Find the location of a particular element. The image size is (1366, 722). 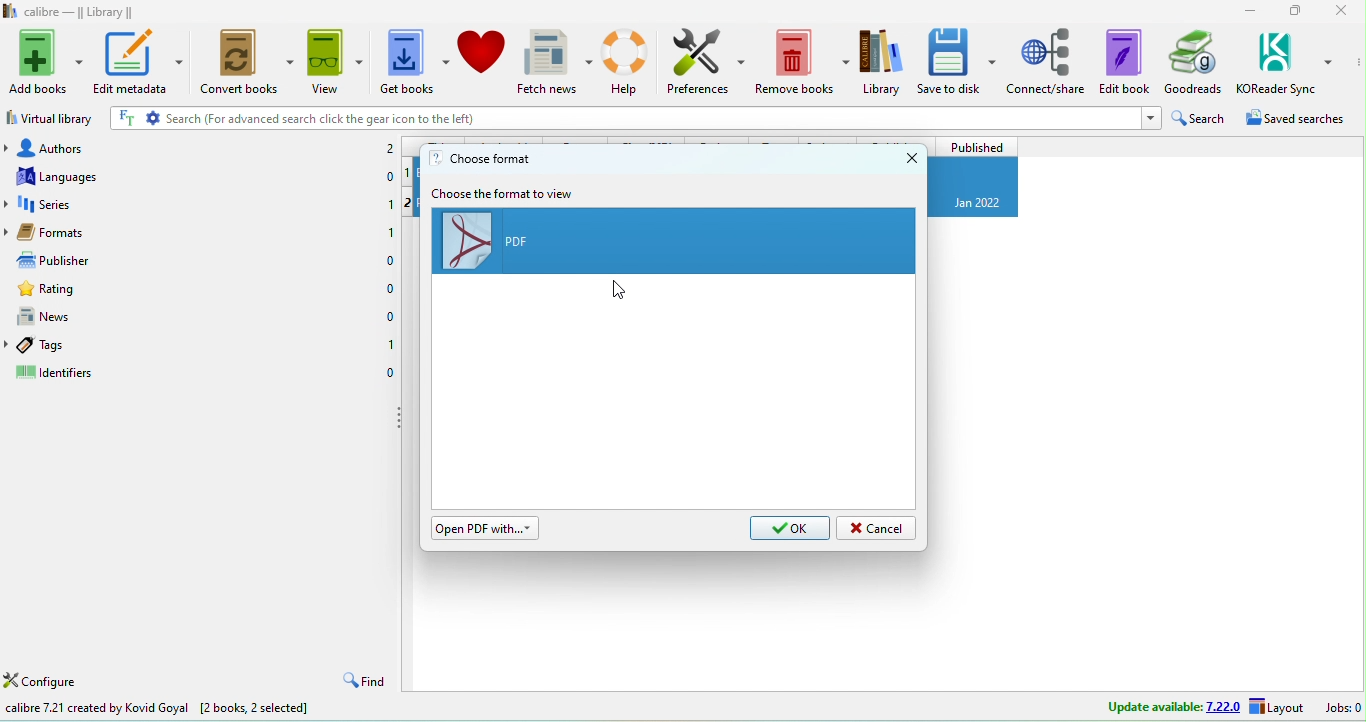

search is located at coordinates (1203, 118).